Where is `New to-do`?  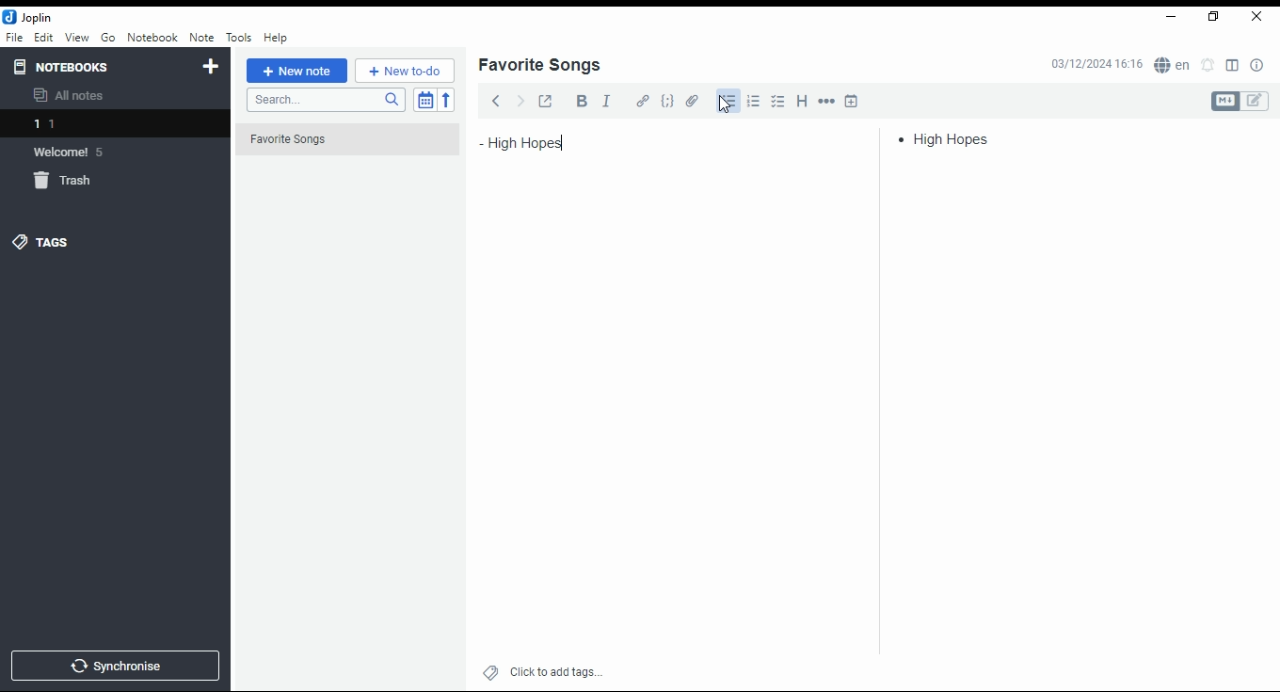 New to-do is located at coordinates (405, 71).